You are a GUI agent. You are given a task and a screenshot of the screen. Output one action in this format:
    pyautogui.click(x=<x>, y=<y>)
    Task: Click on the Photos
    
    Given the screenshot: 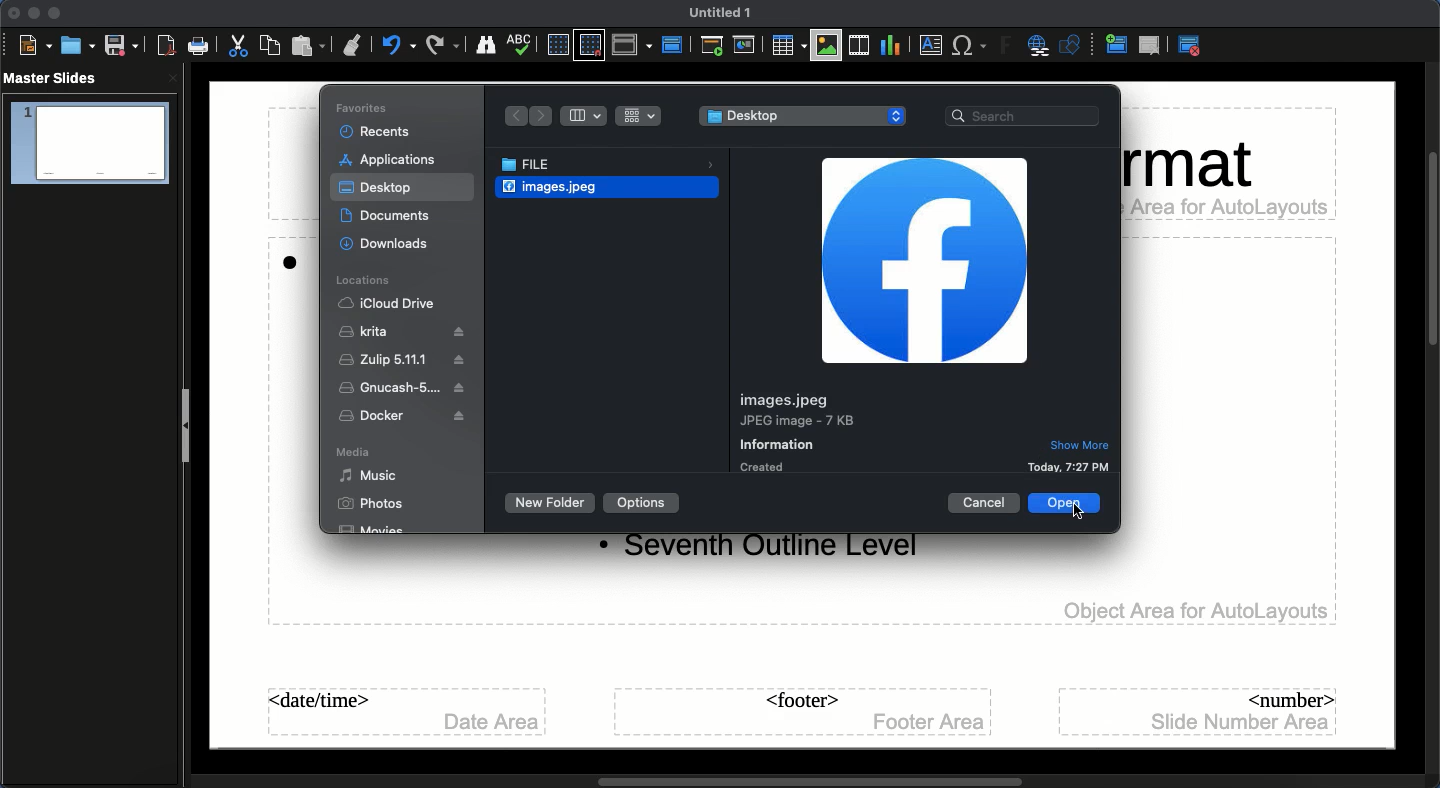 What is the action you would take?
    pyautogui.click(x=370, y=503)
    